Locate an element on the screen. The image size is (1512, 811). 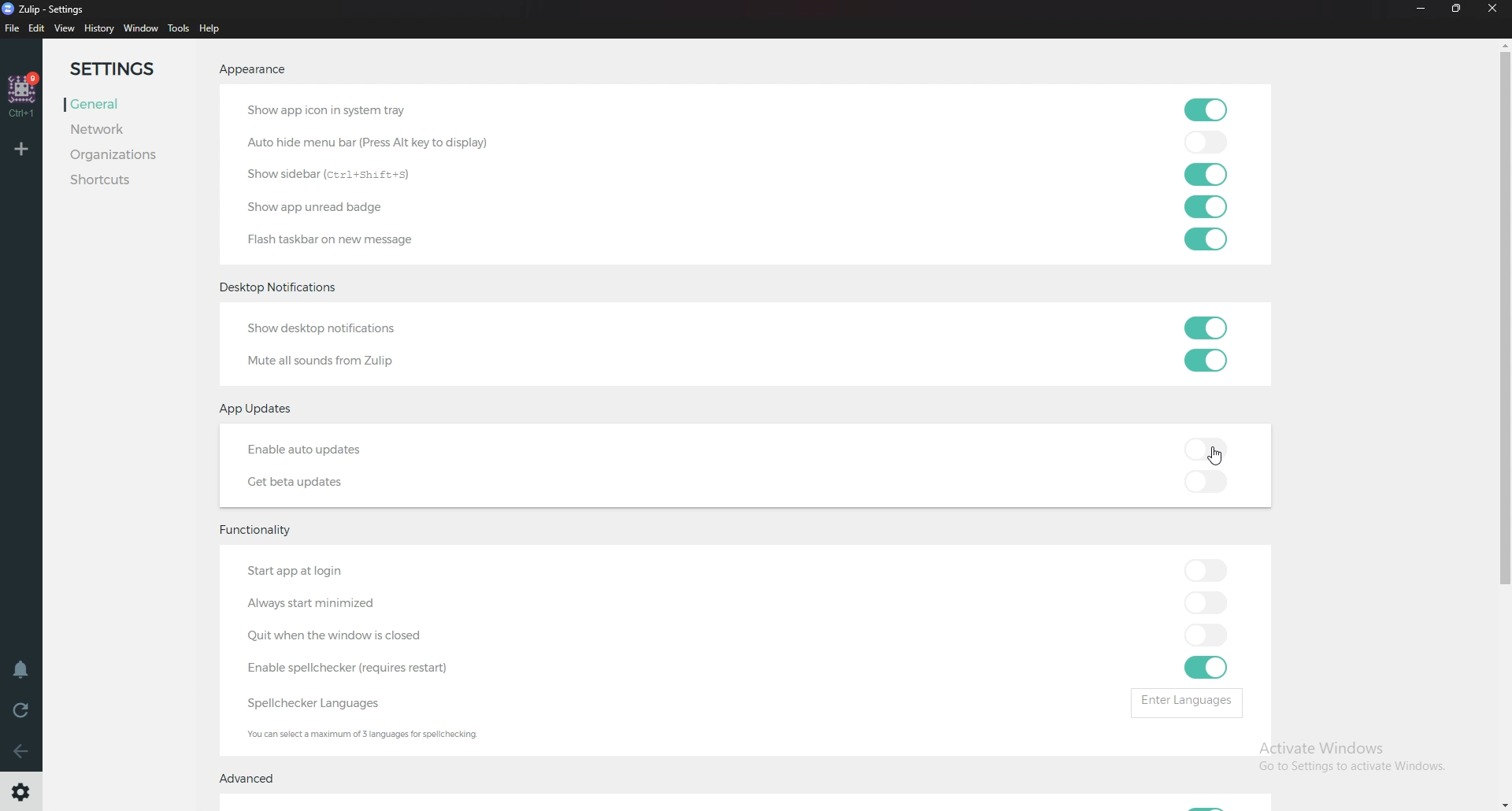
flashtaskbar is located at coordinates (345, 239).